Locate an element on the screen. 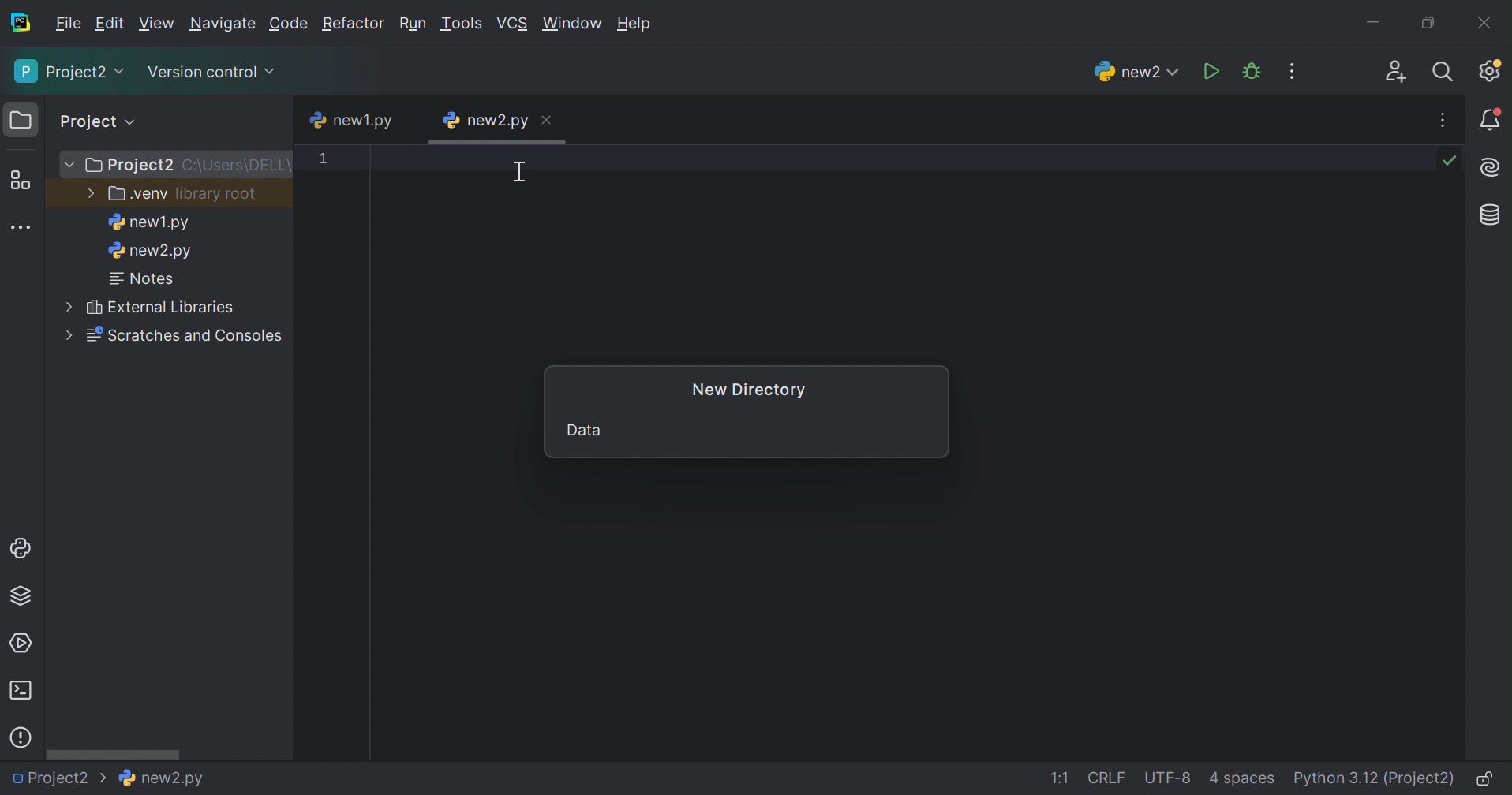  Version control is located at coordinates (211, 70).